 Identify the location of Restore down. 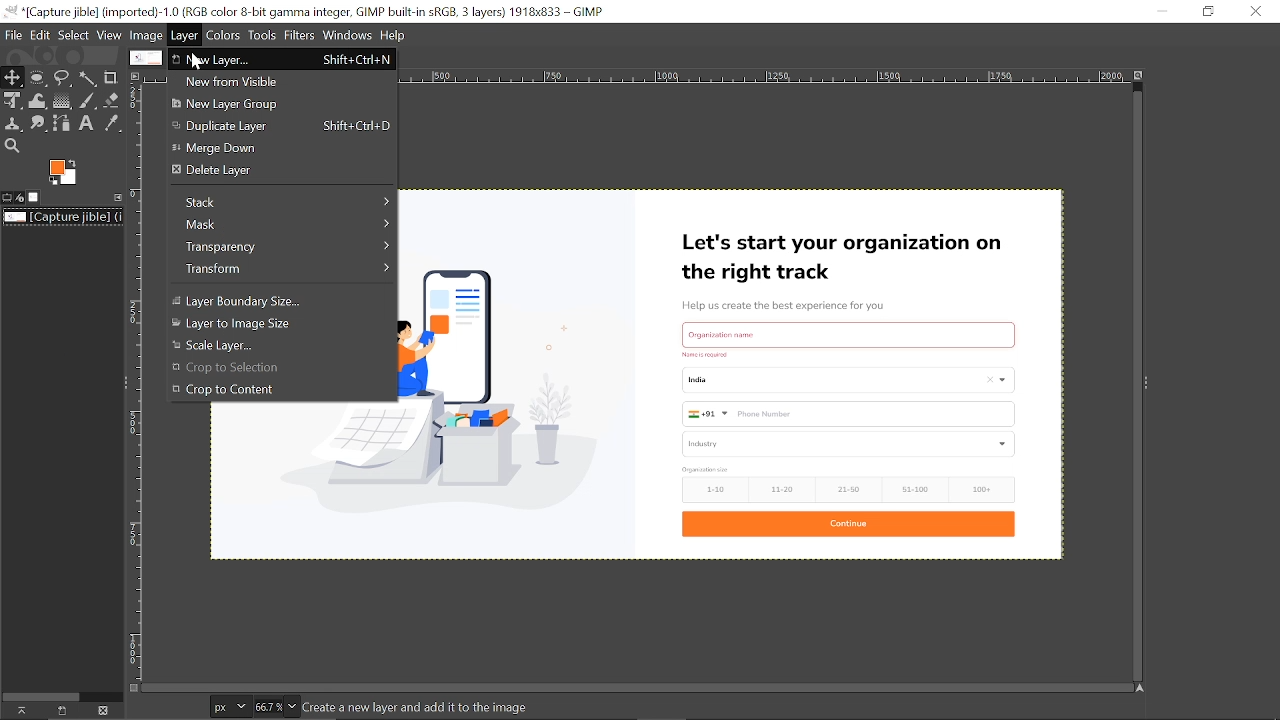
(1207, 12).